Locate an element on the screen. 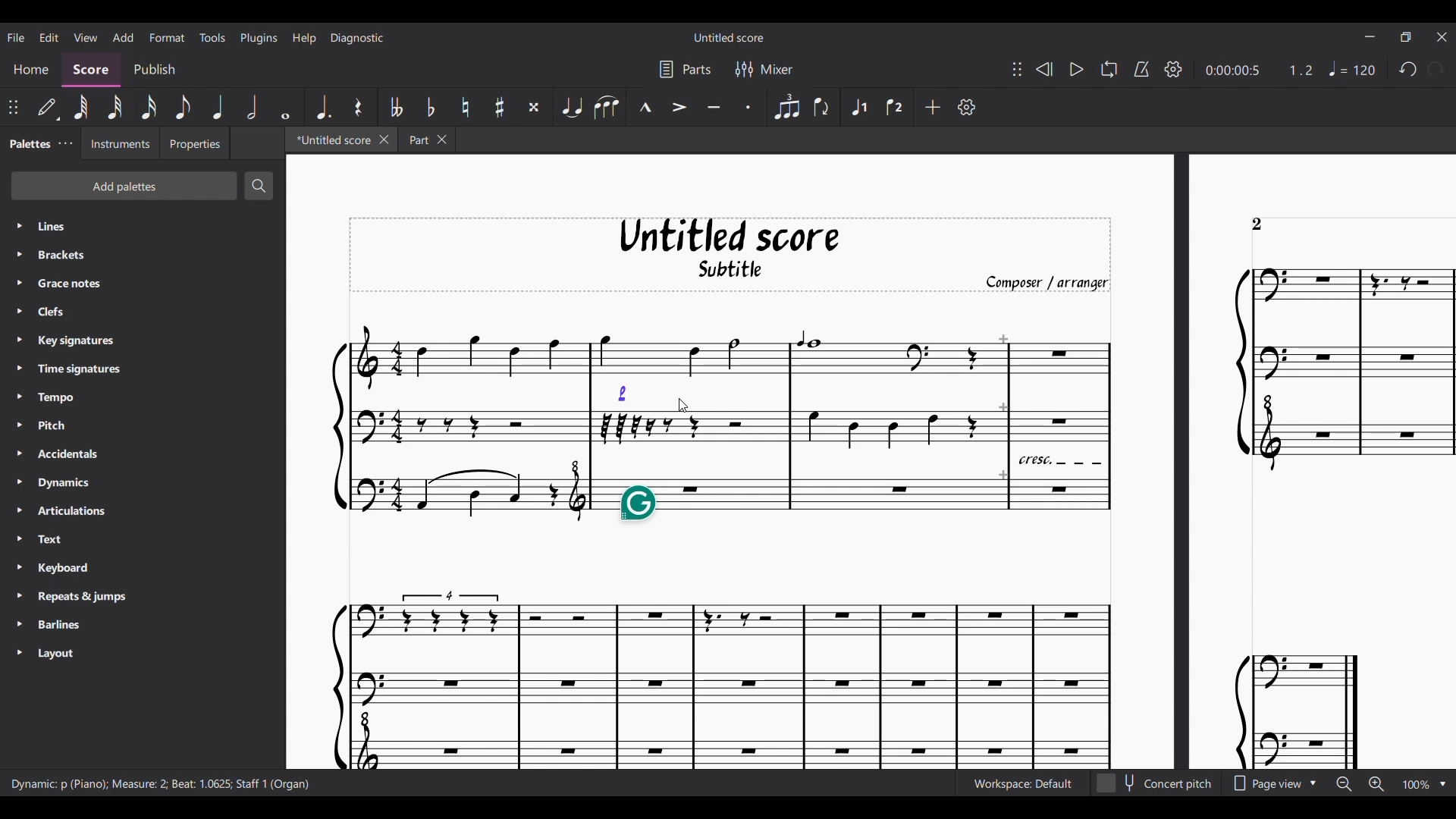 This screenshot has height=819, width=1456. Score title, sub-title, and composer name is located at coordinates (730, 255).